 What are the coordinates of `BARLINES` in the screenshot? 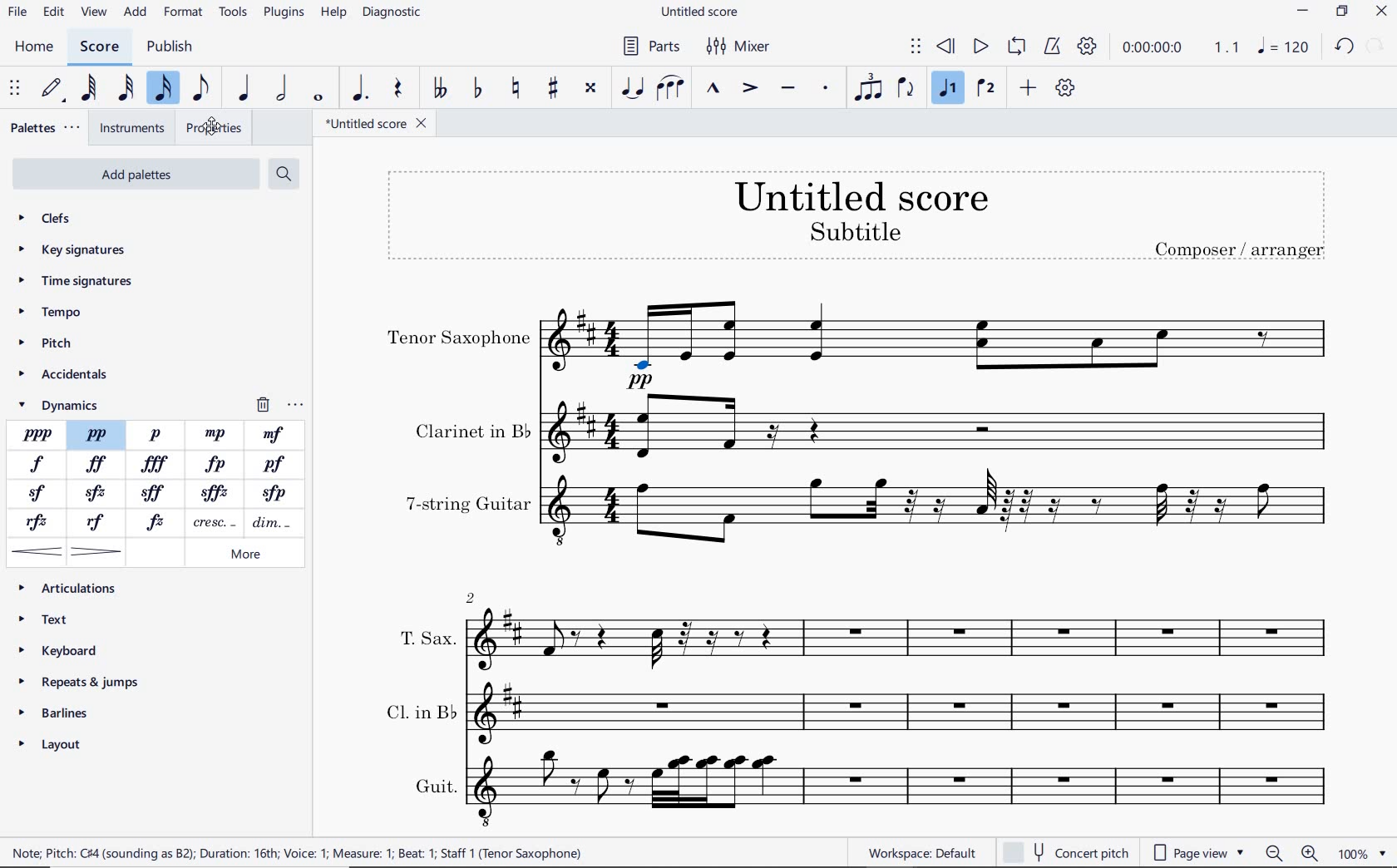 It's located at (57, 713).